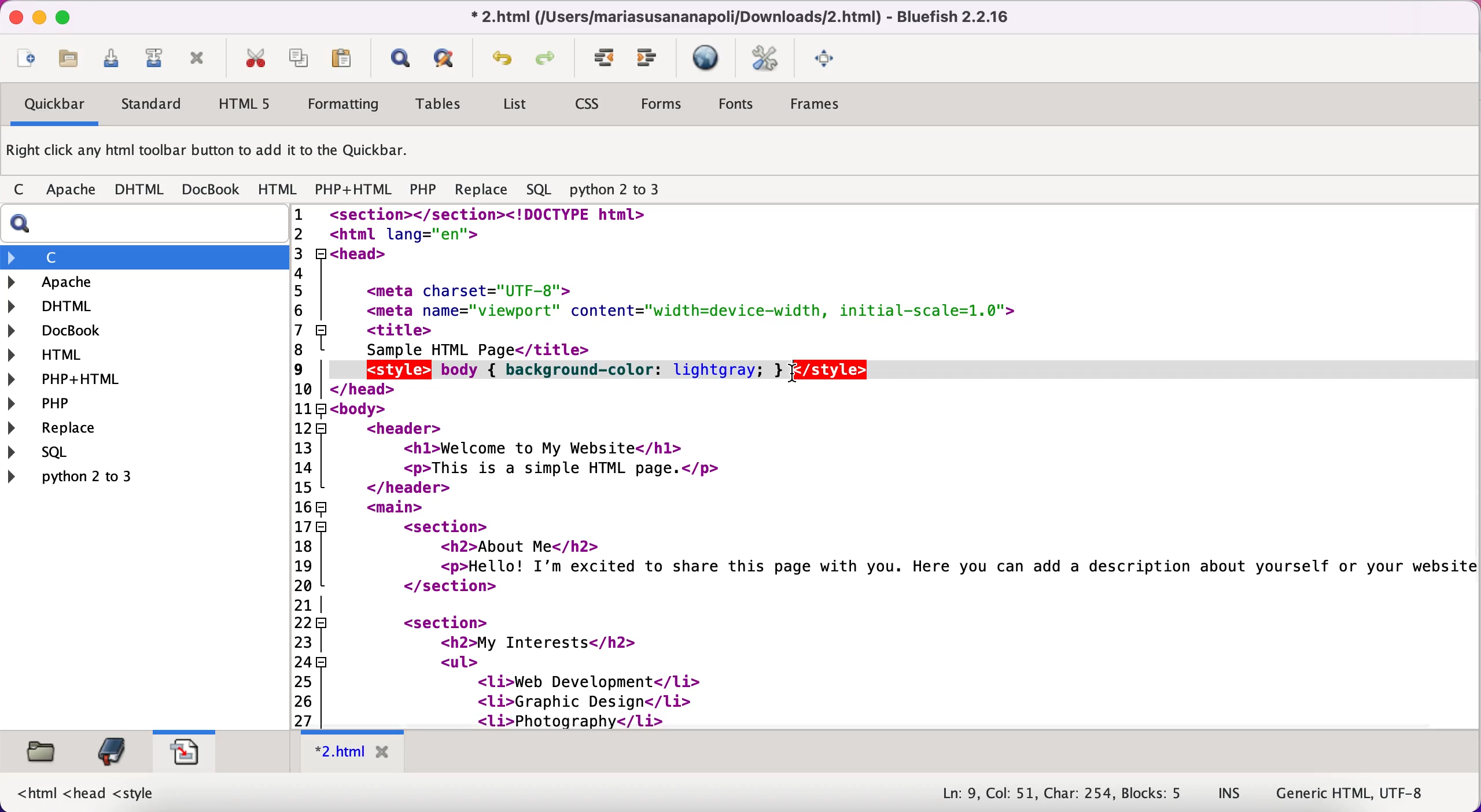  Describe the element at coordinates (827, 57) in the screenshot. I see `full screen` at that location.